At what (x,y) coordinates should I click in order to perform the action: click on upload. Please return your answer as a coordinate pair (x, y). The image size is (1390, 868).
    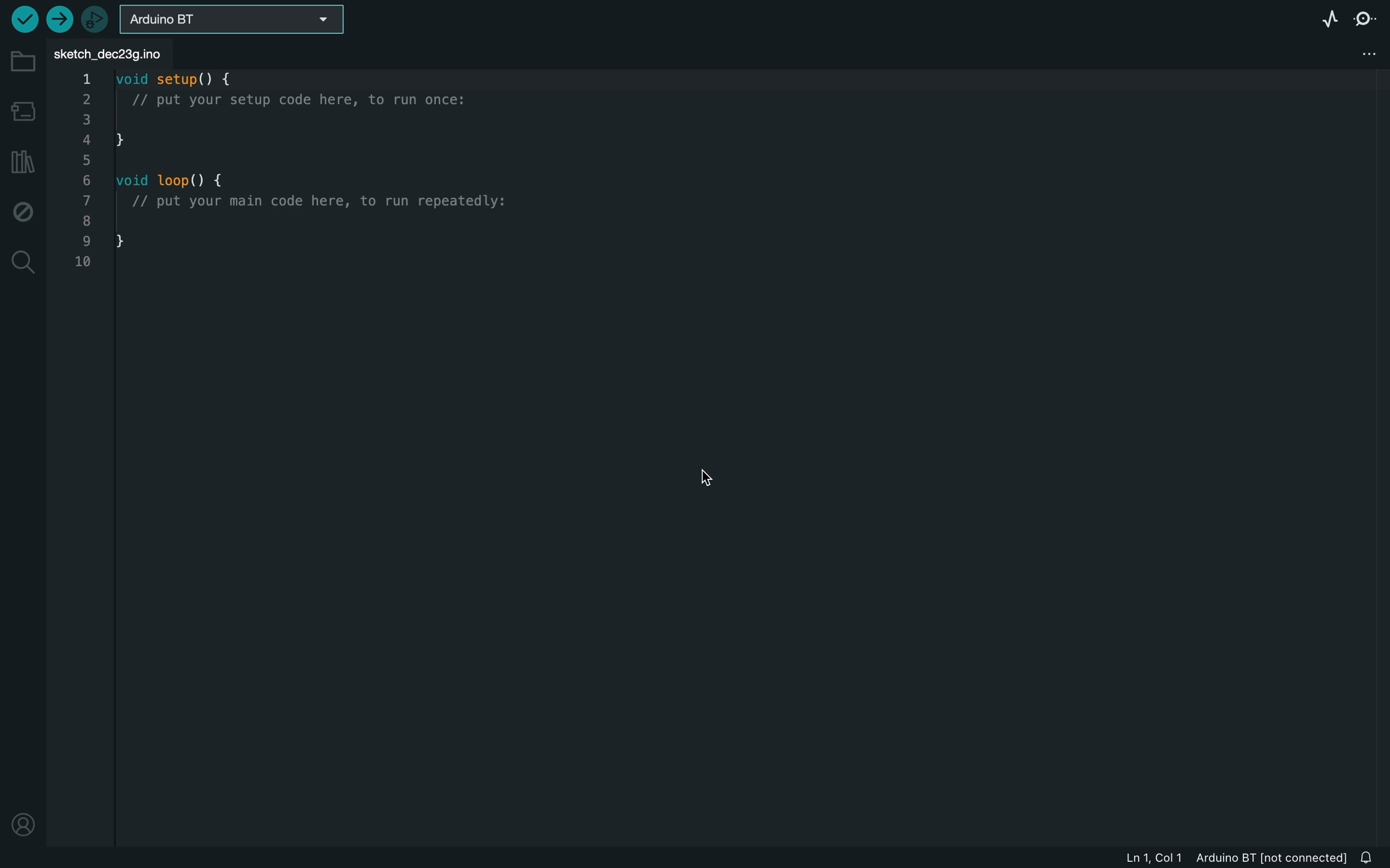
    Looking at the image, I should click on (59, 18).